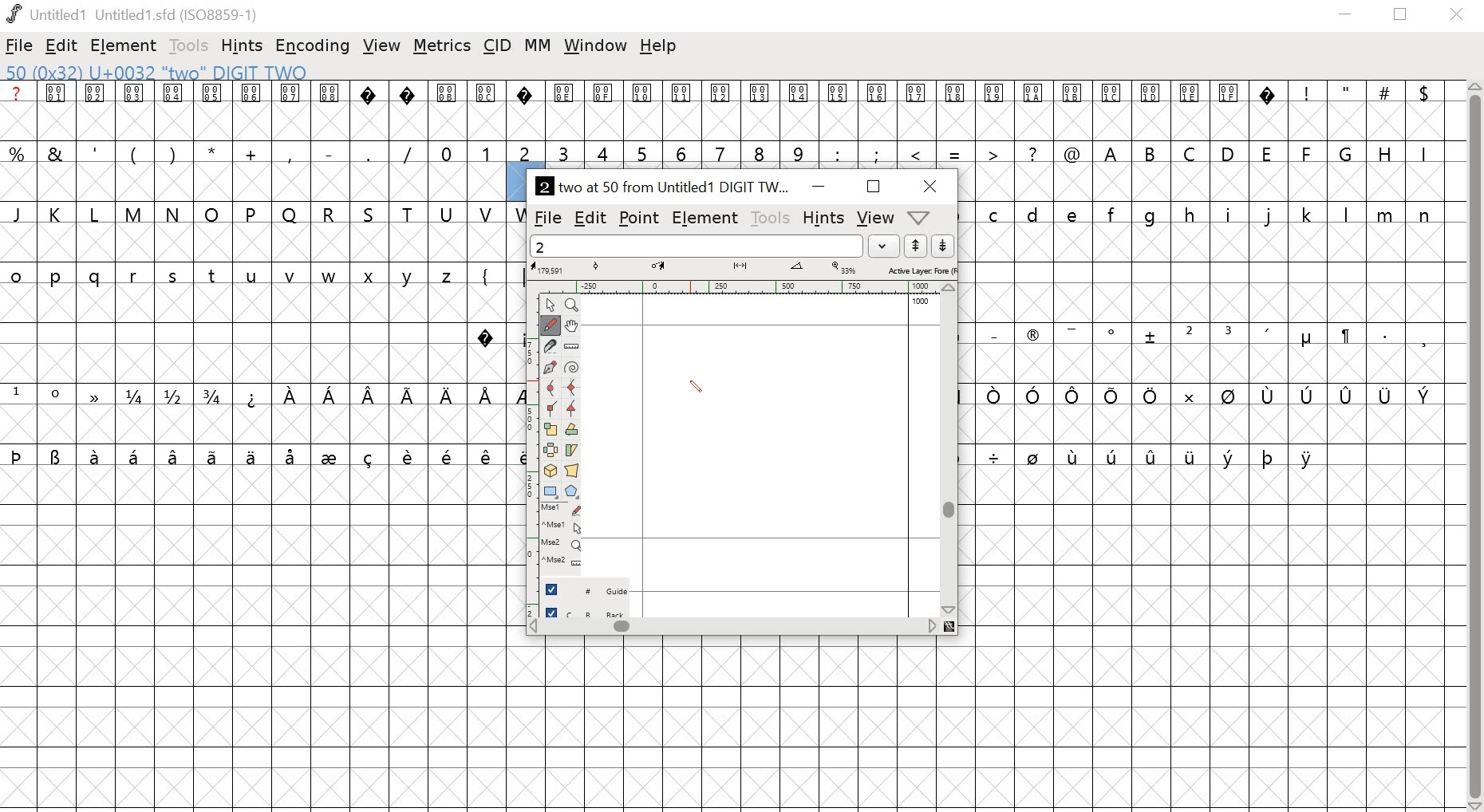 The height and width of the screenshot is (812, 1484). What do you see at coordinates (698, 388) in the screenshot?
I see `pen tool /cursor location` at bounding box center [698, 388].